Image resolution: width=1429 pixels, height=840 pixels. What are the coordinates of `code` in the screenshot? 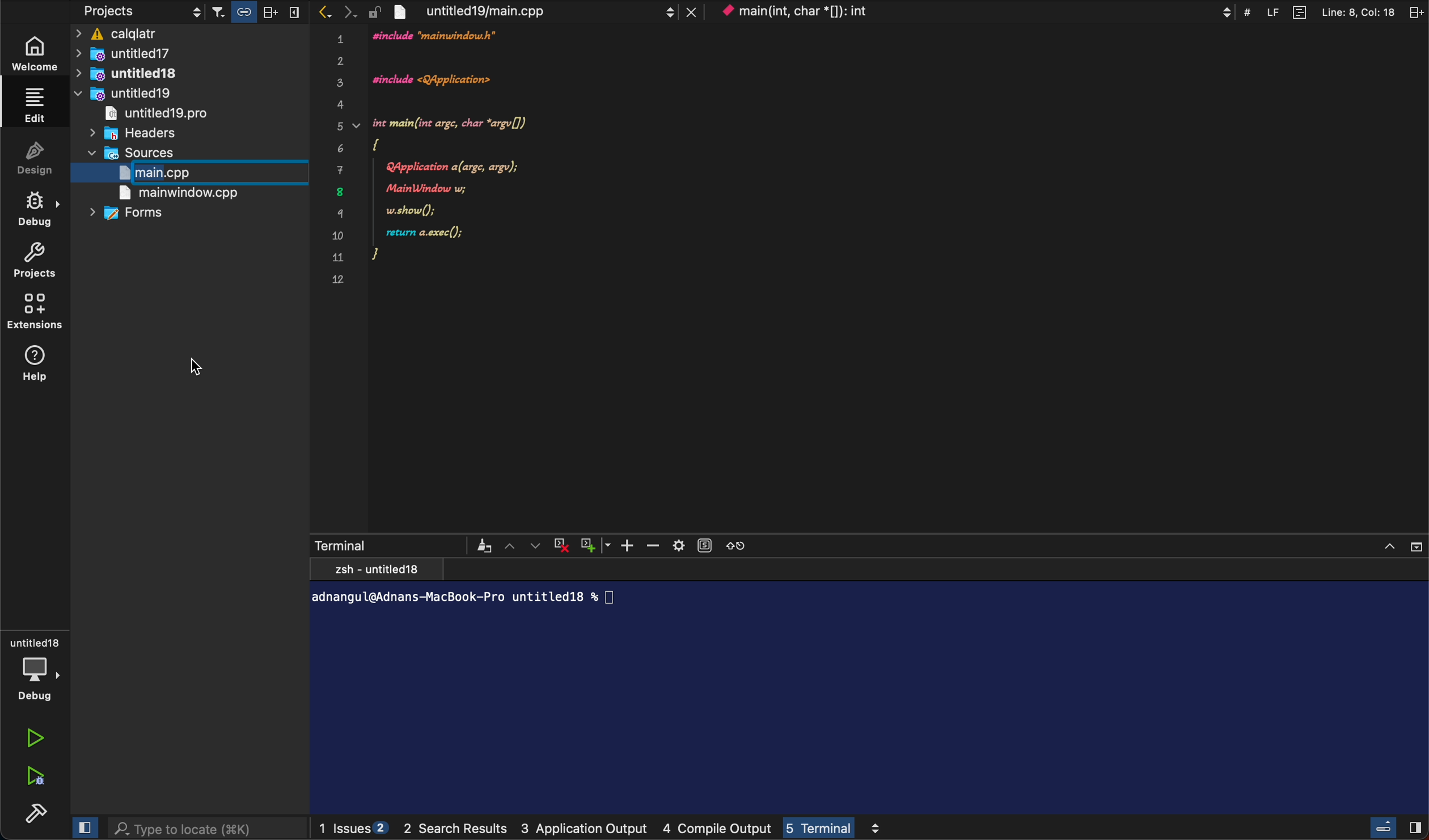 It's located at (468, 159).